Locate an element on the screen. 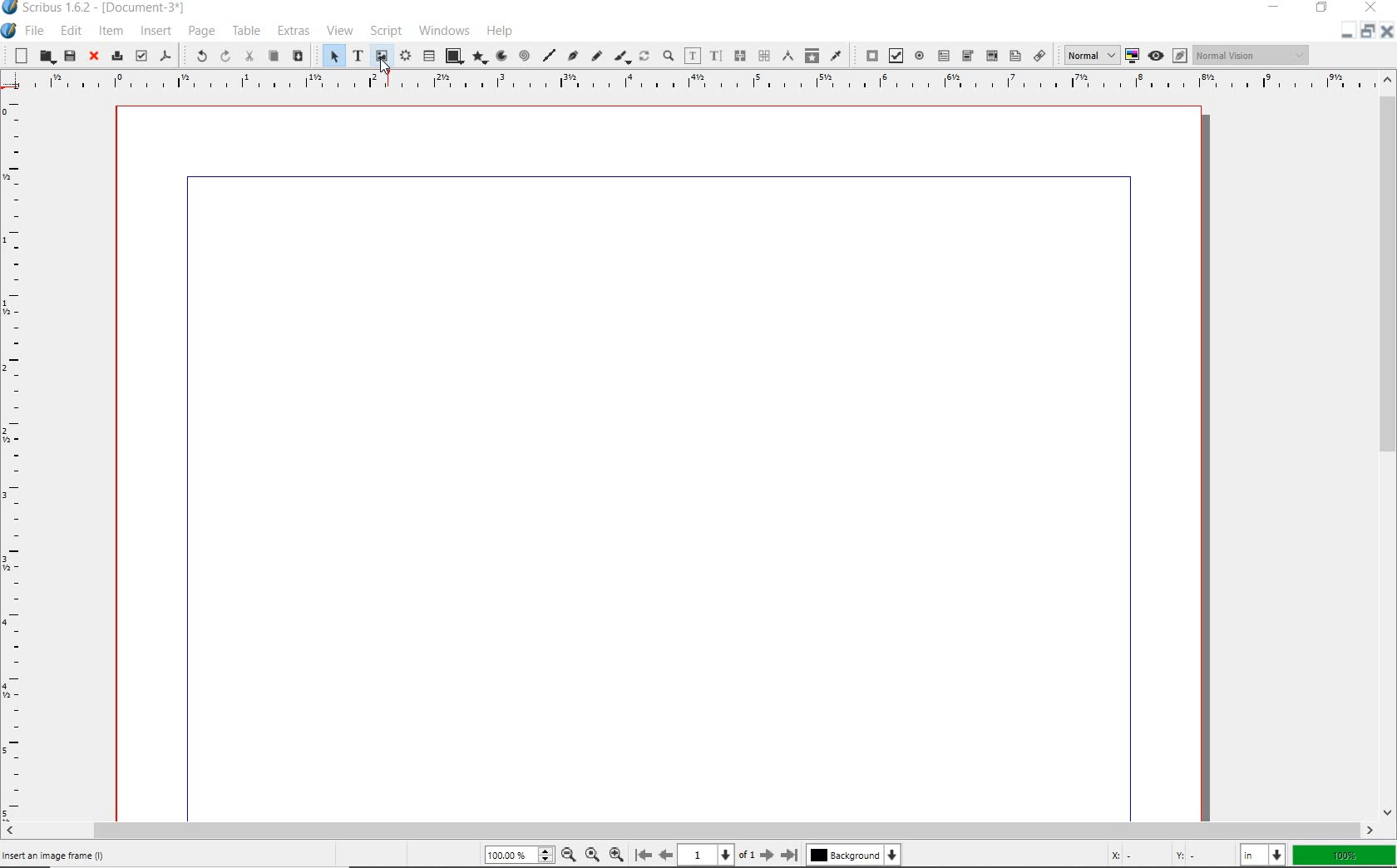 This screenshot has width=1397, height=868. current page is located at coordinates (717, 856).